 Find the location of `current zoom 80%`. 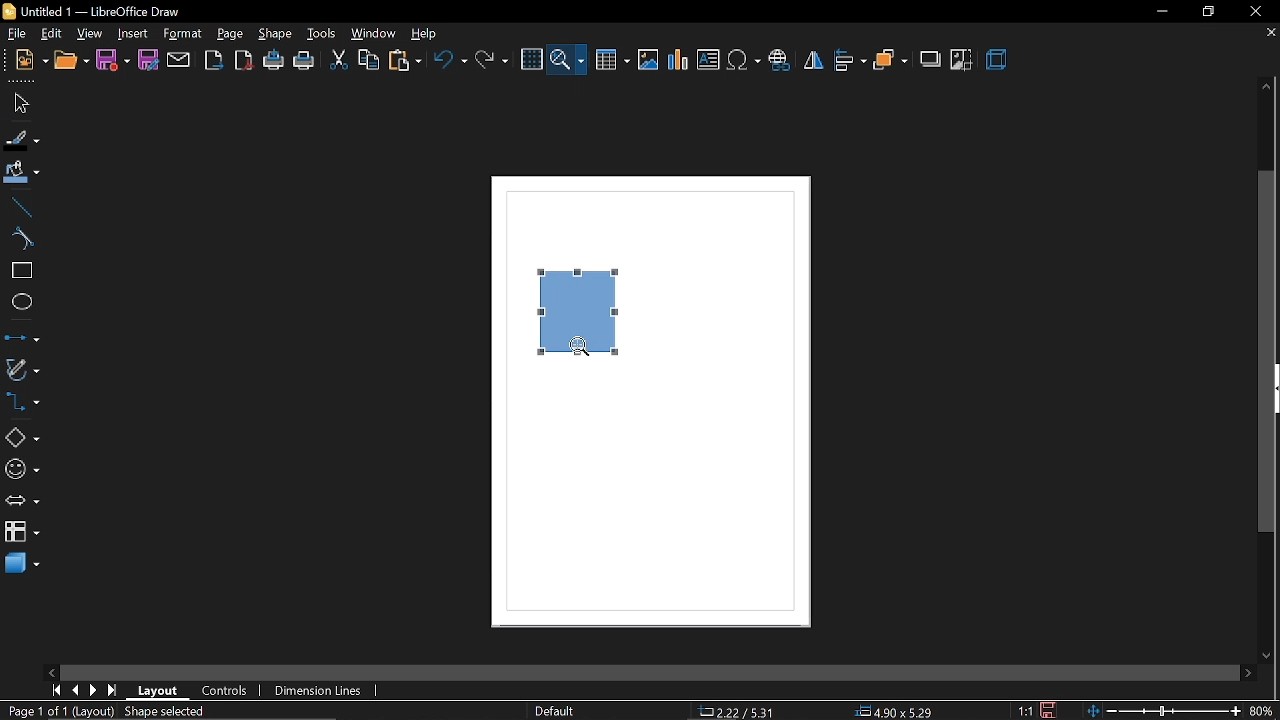

current zoom 80% is located at coordinates (1262, 708).